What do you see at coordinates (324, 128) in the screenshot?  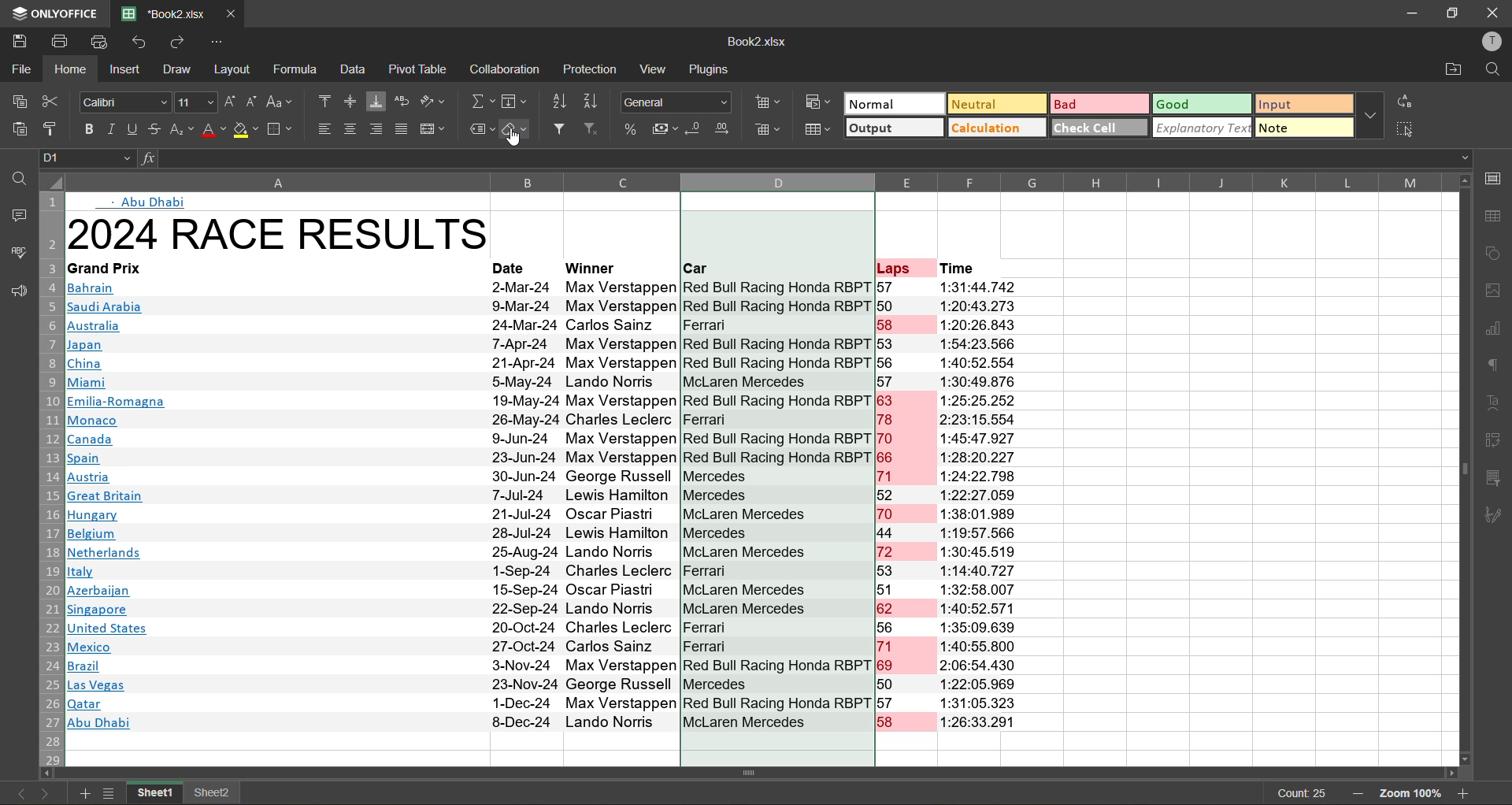 I see `align left` at bounding box center [324, 128].